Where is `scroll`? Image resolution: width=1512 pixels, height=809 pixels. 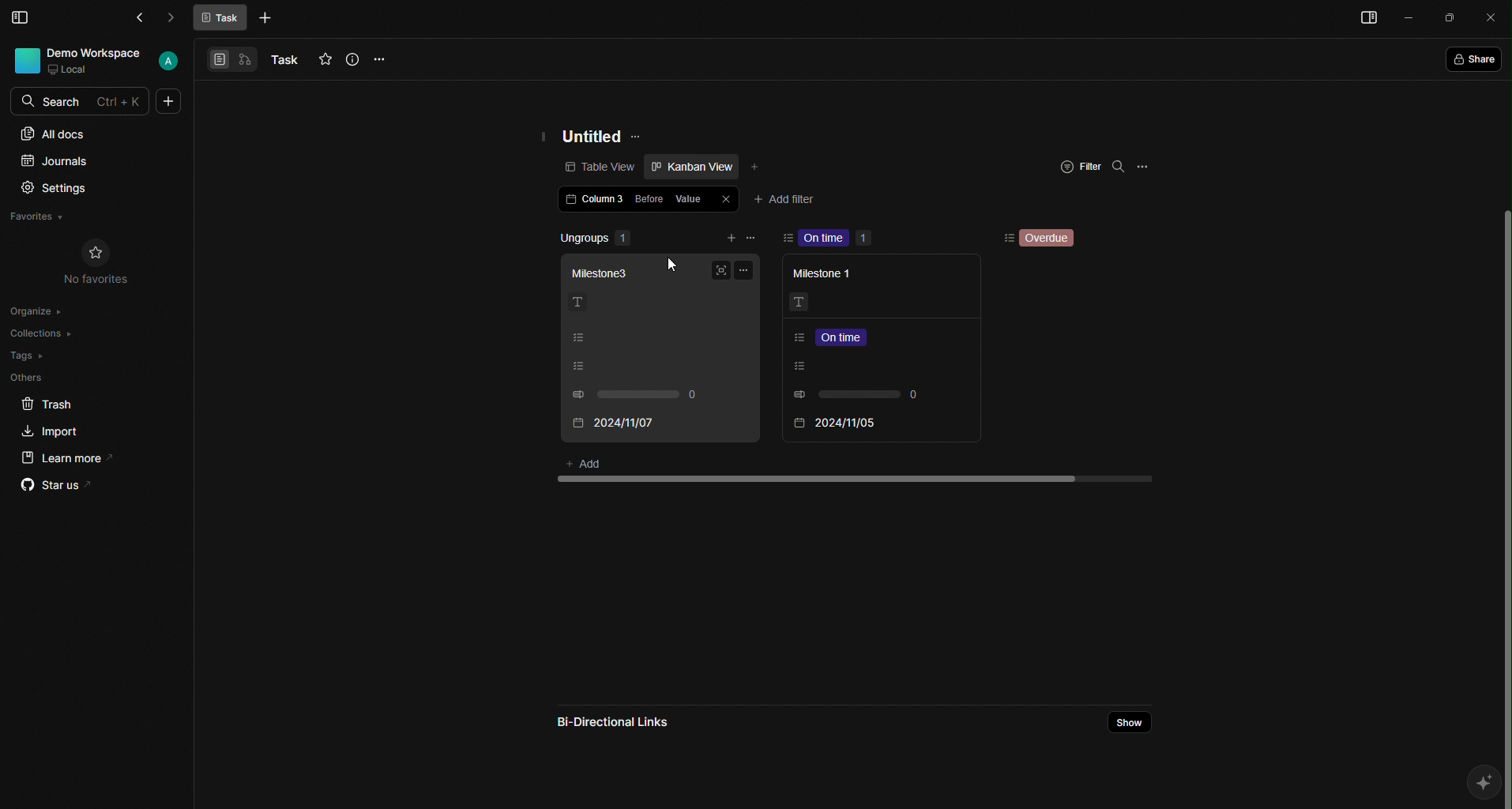
scroll is located at coordinates (859, 478).